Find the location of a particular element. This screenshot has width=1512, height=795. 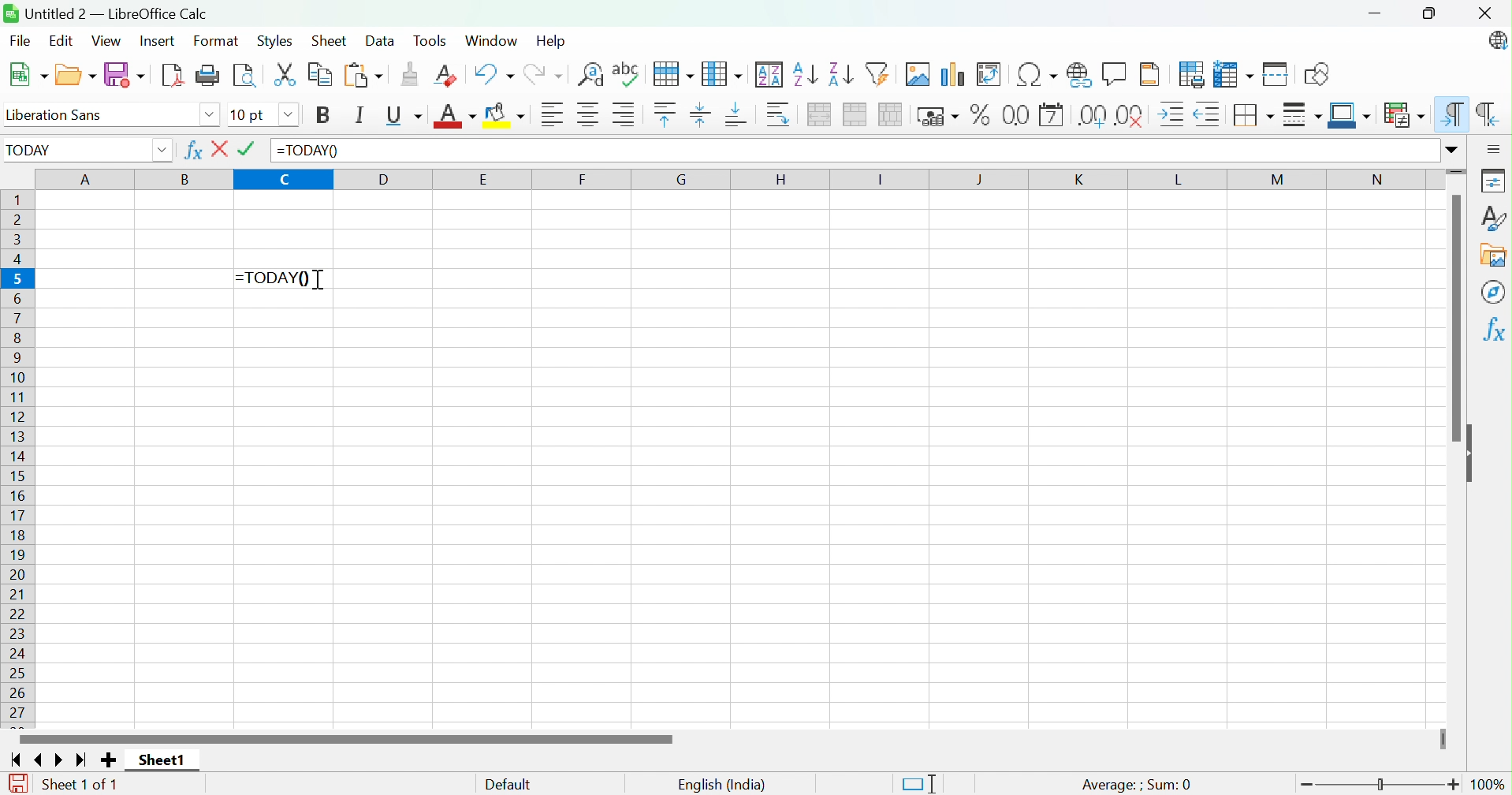

The document has been modified. Click to save the document is located at coordinates (13, 784).